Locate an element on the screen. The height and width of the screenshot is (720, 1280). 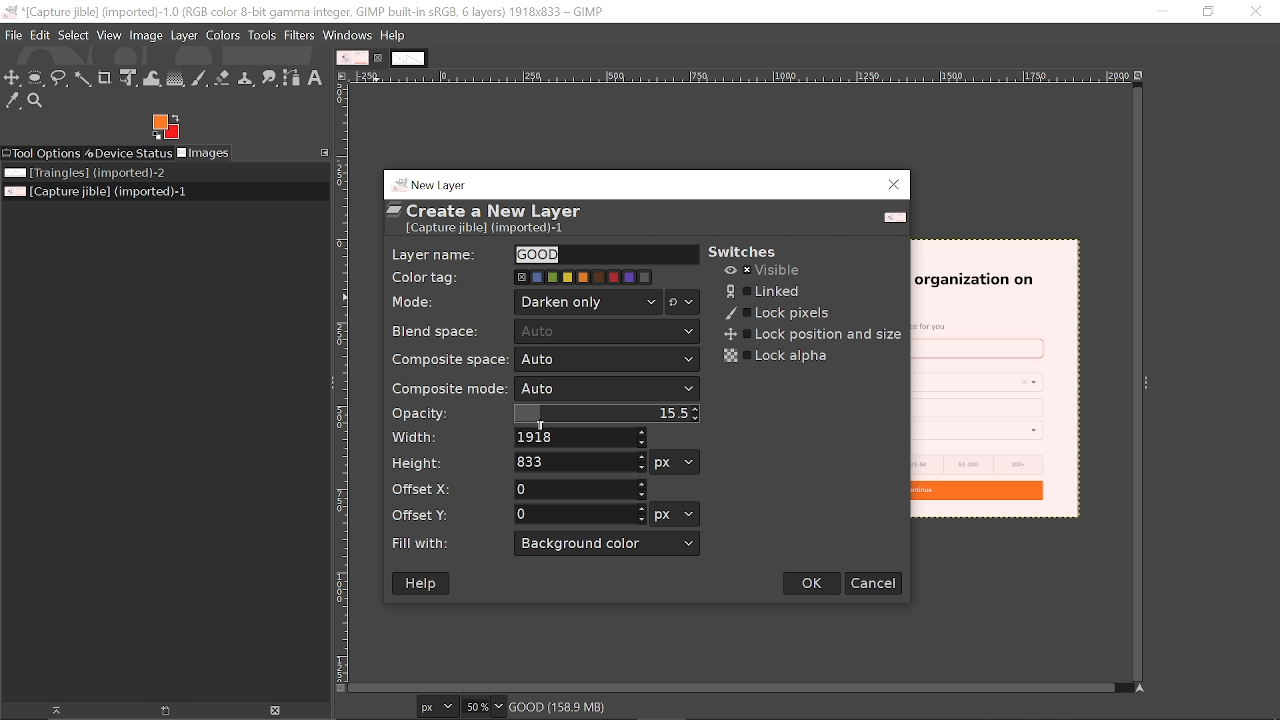
Foreground color is located at coordinates (165, 127).